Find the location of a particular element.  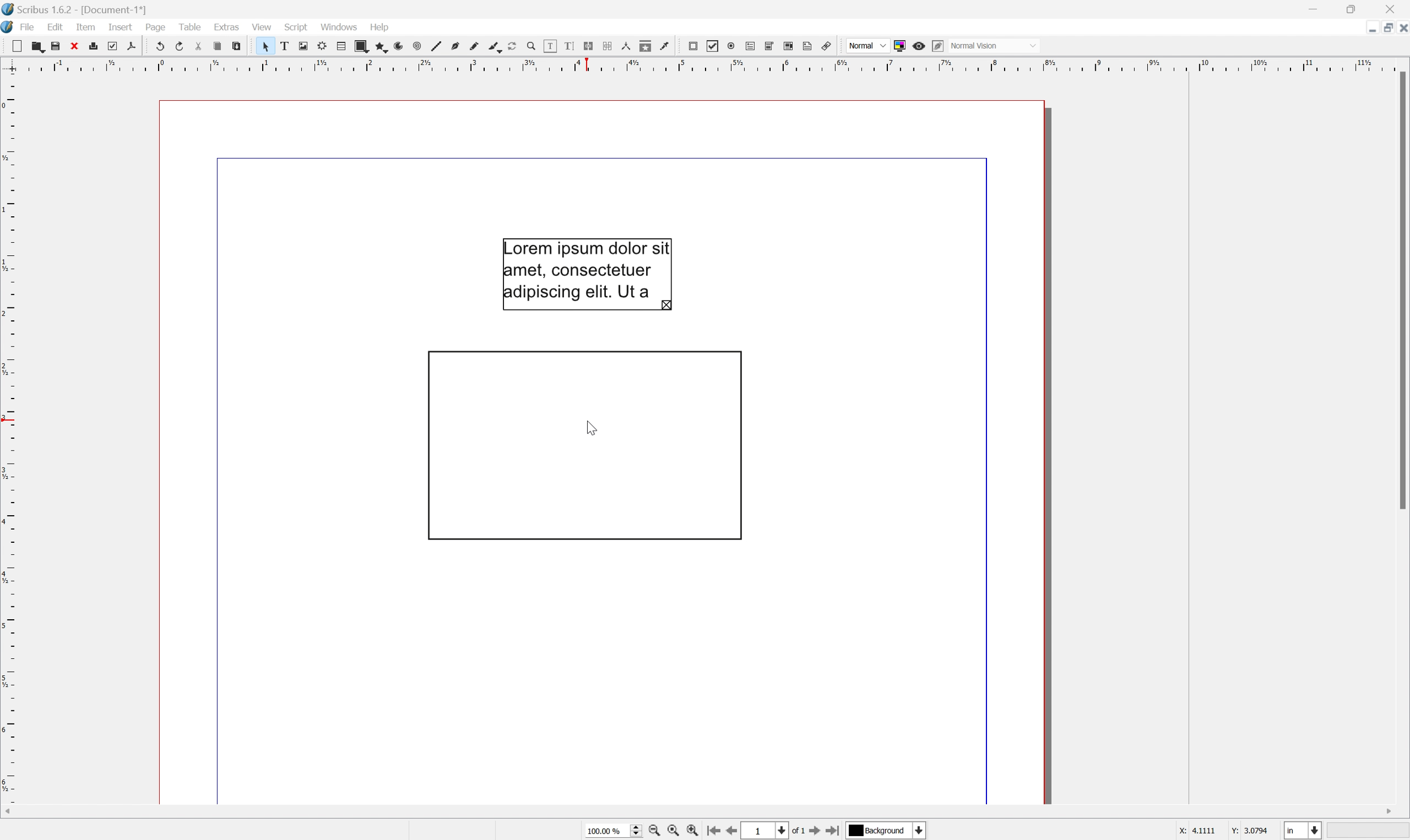

Scroll bar is located at coordinates (1401, 293).